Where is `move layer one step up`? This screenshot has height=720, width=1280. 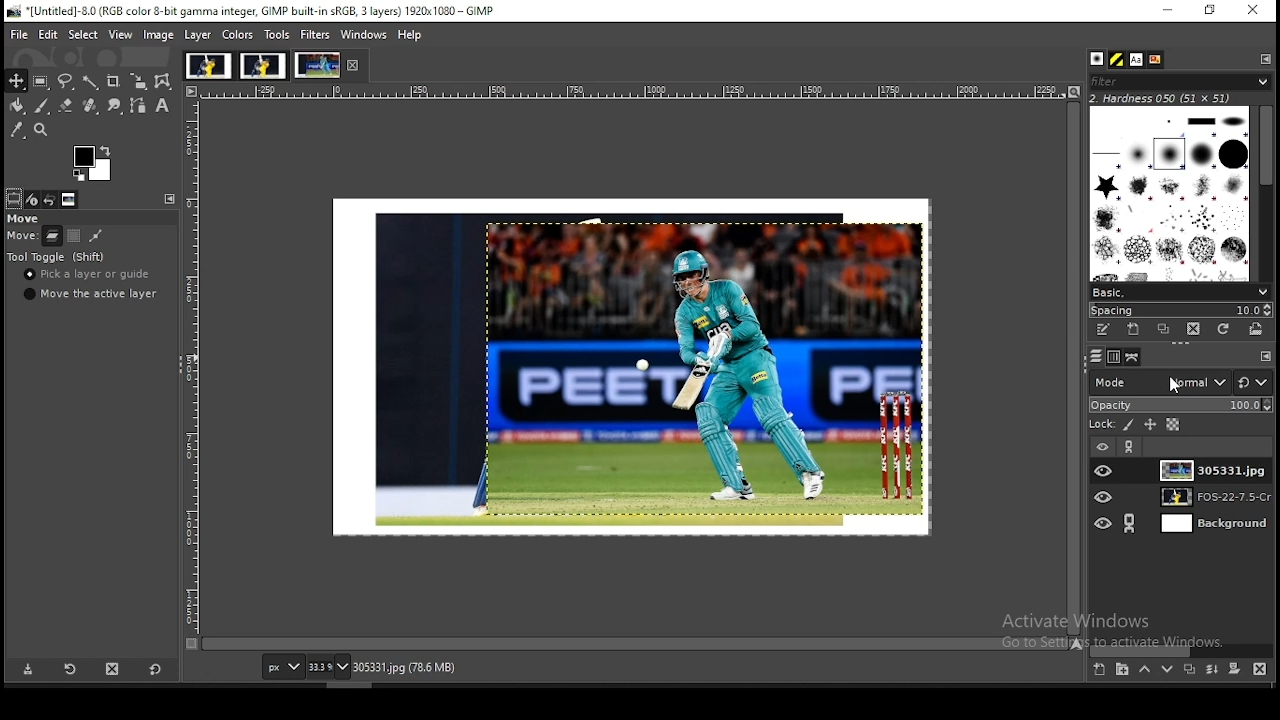
move layer one step up is located at coordinates (1146, 669).